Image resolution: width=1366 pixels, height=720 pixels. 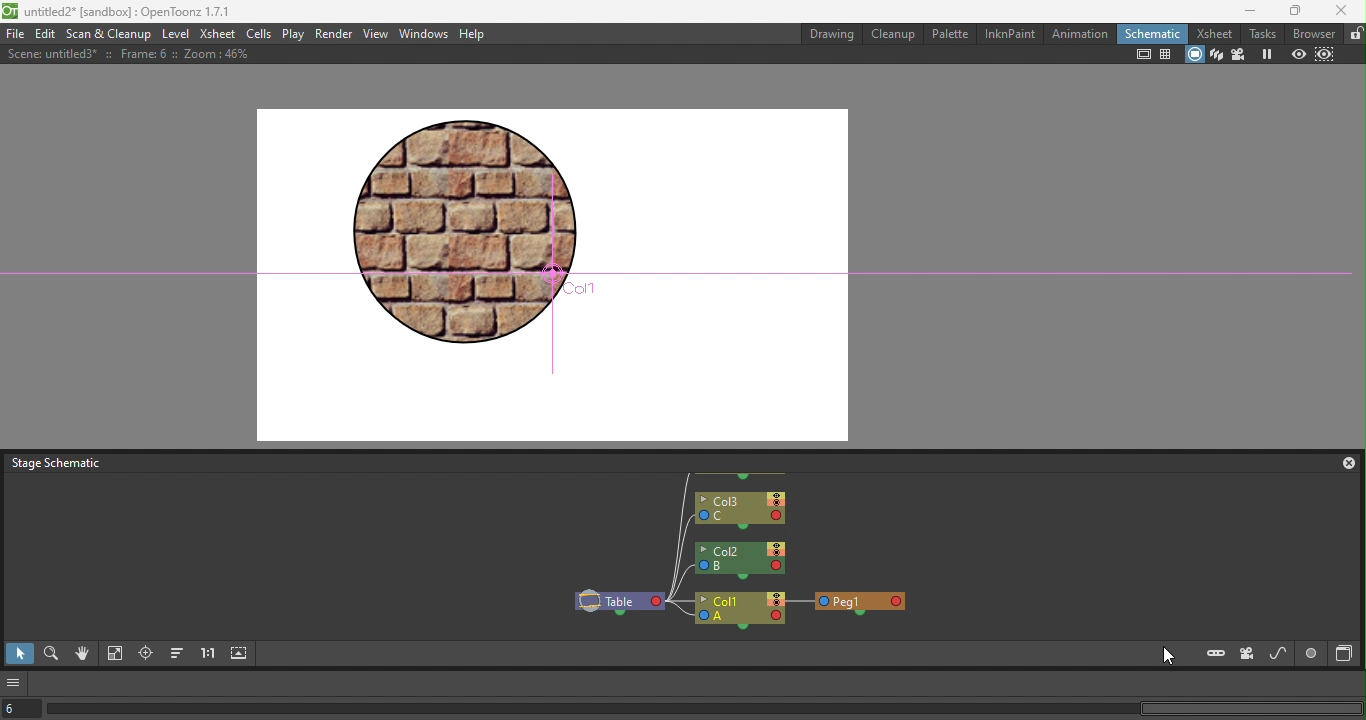 I want to click on Preview, so click(x=1298, y=55).